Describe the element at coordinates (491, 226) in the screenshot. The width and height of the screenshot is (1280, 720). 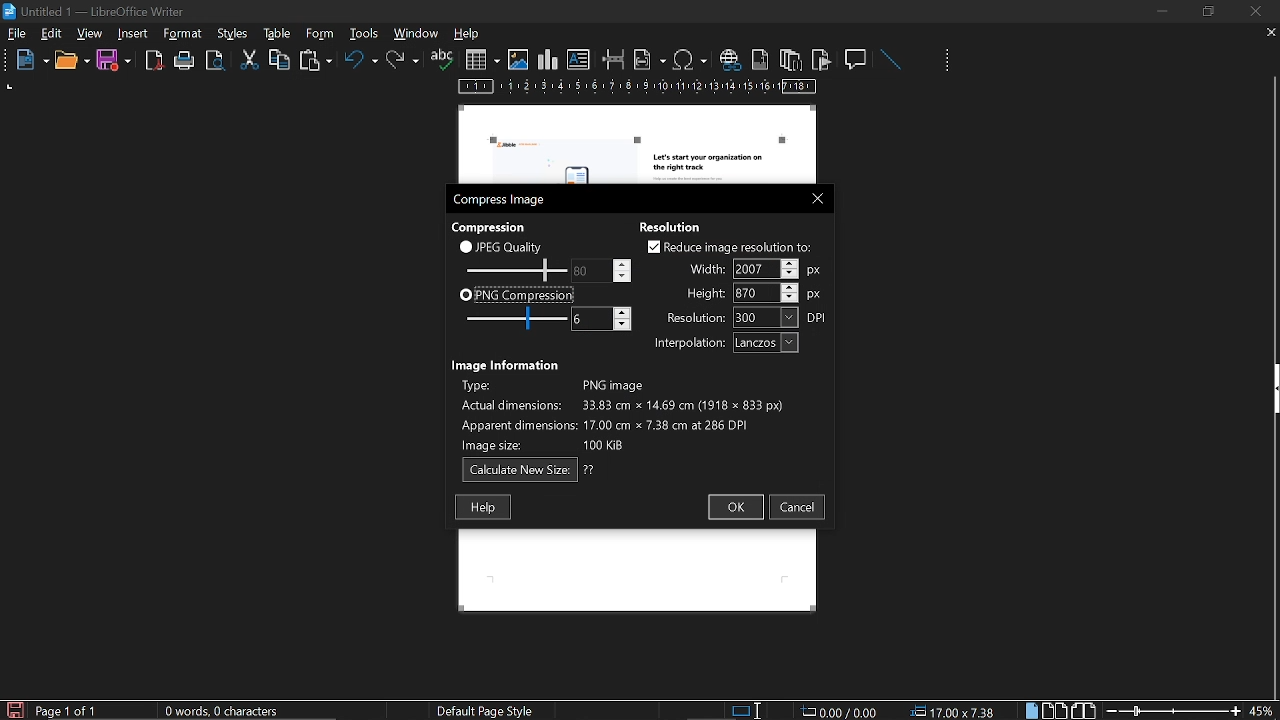
I see `Compression` at that location.